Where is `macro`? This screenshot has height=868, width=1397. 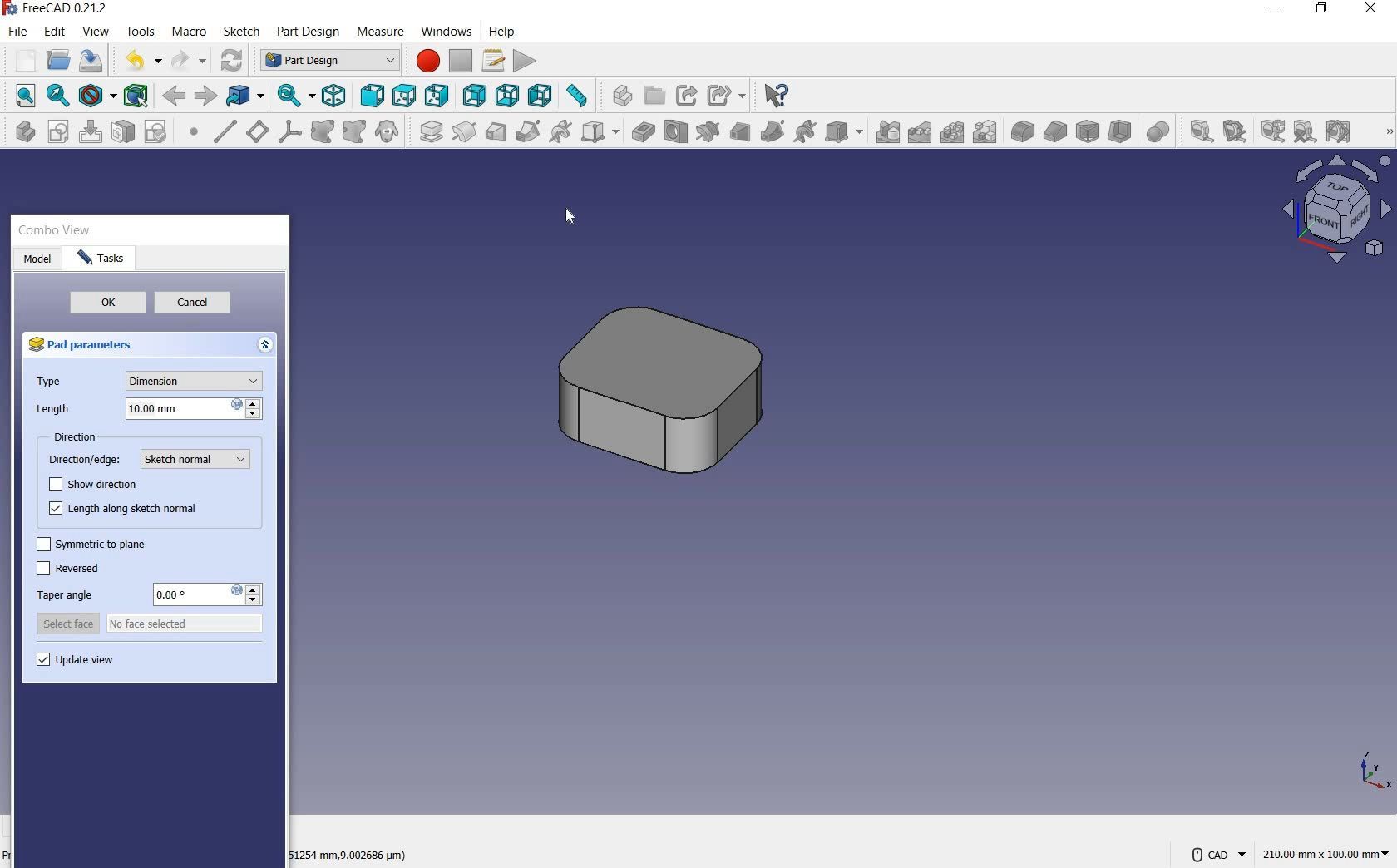 macro is located at coordinates (190, 31).